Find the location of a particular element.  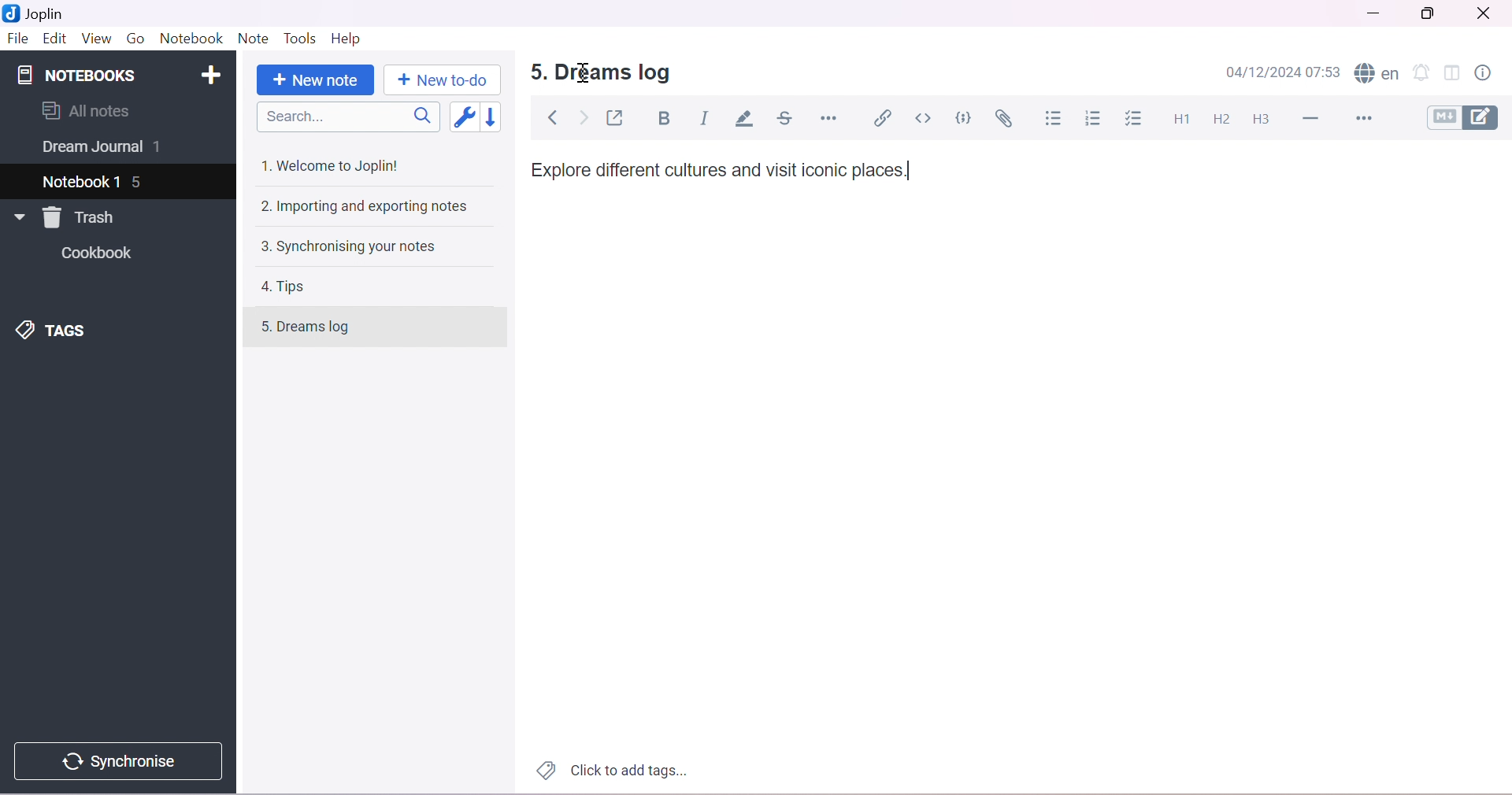

Joplin is located at coordinates (39, 13).